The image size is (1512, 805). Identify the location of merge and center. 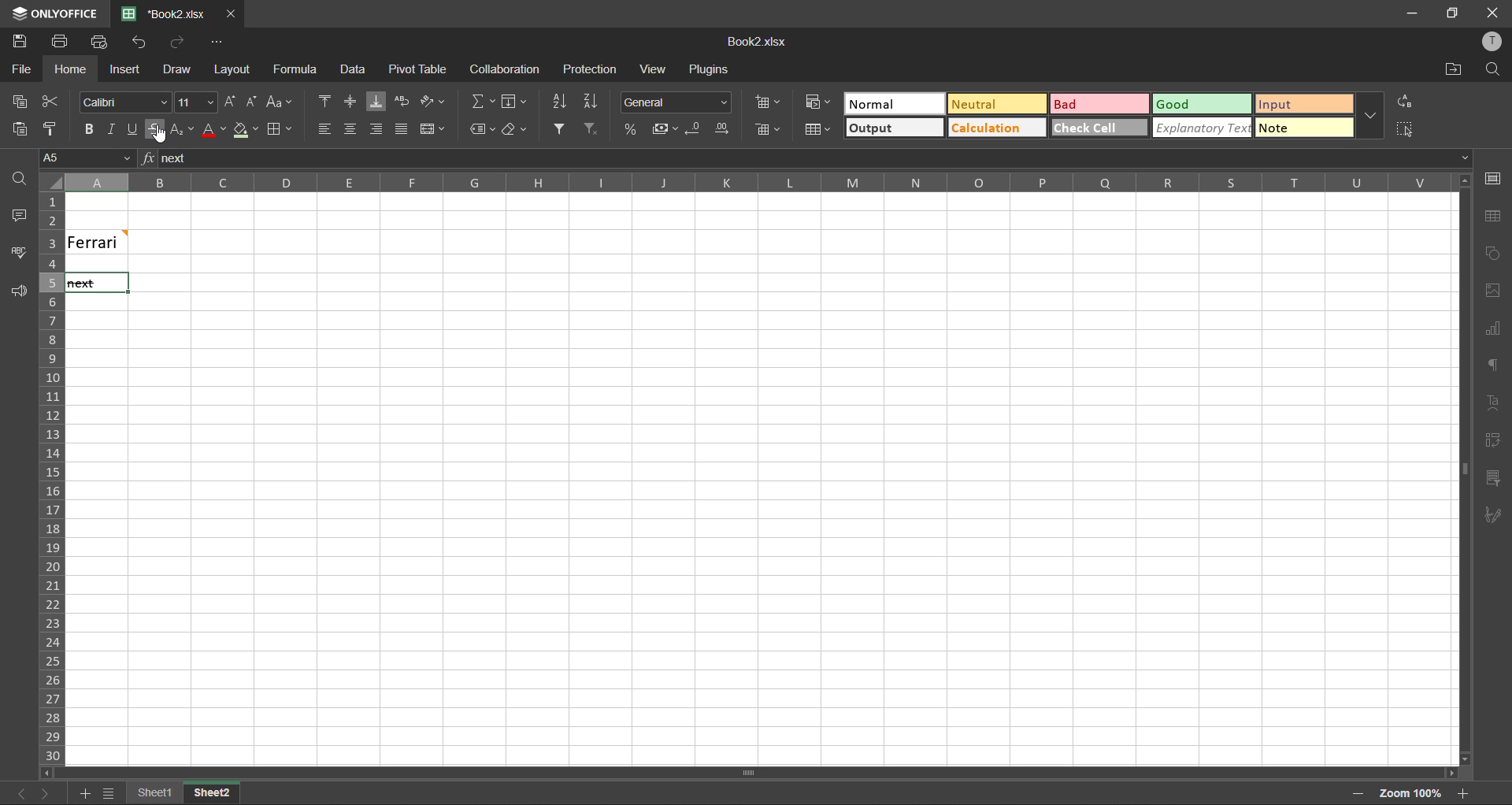
(434, 129).